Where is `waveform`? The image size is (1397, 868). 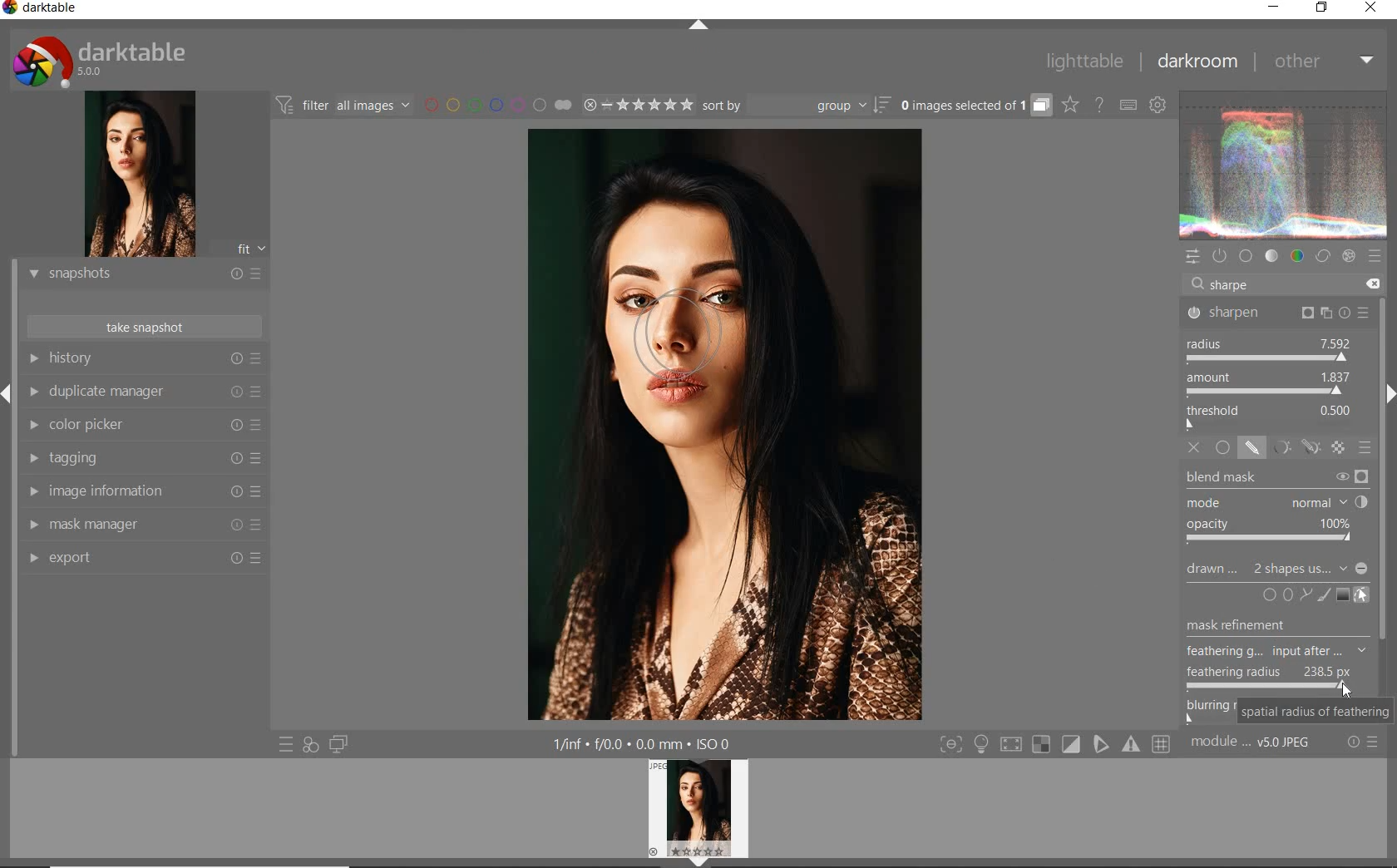
waveform is located at coordinates (1284, 165).